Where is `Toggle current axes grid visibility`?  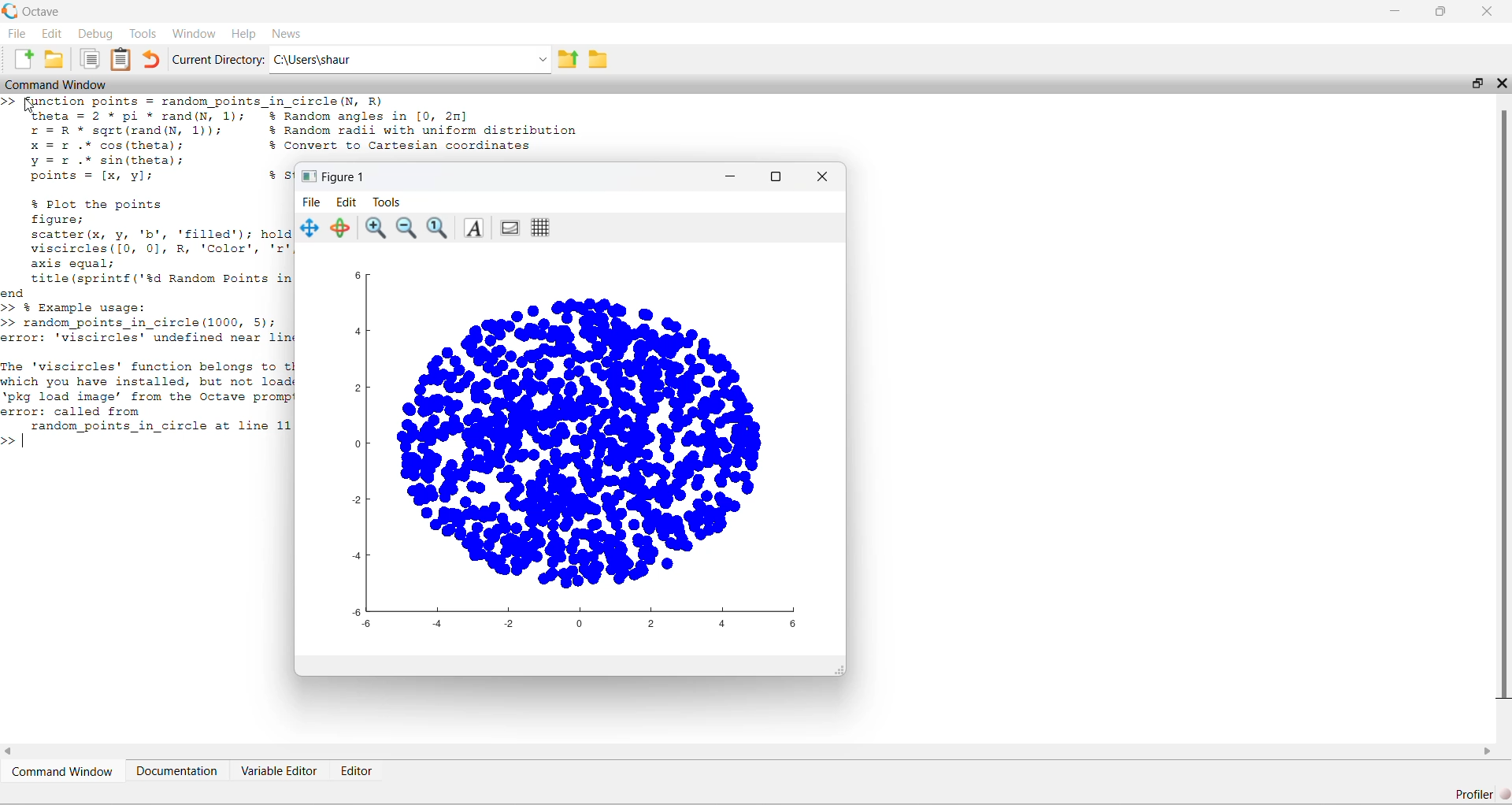 Toggle current axes grid visibility is located at coordinates (539, 228).